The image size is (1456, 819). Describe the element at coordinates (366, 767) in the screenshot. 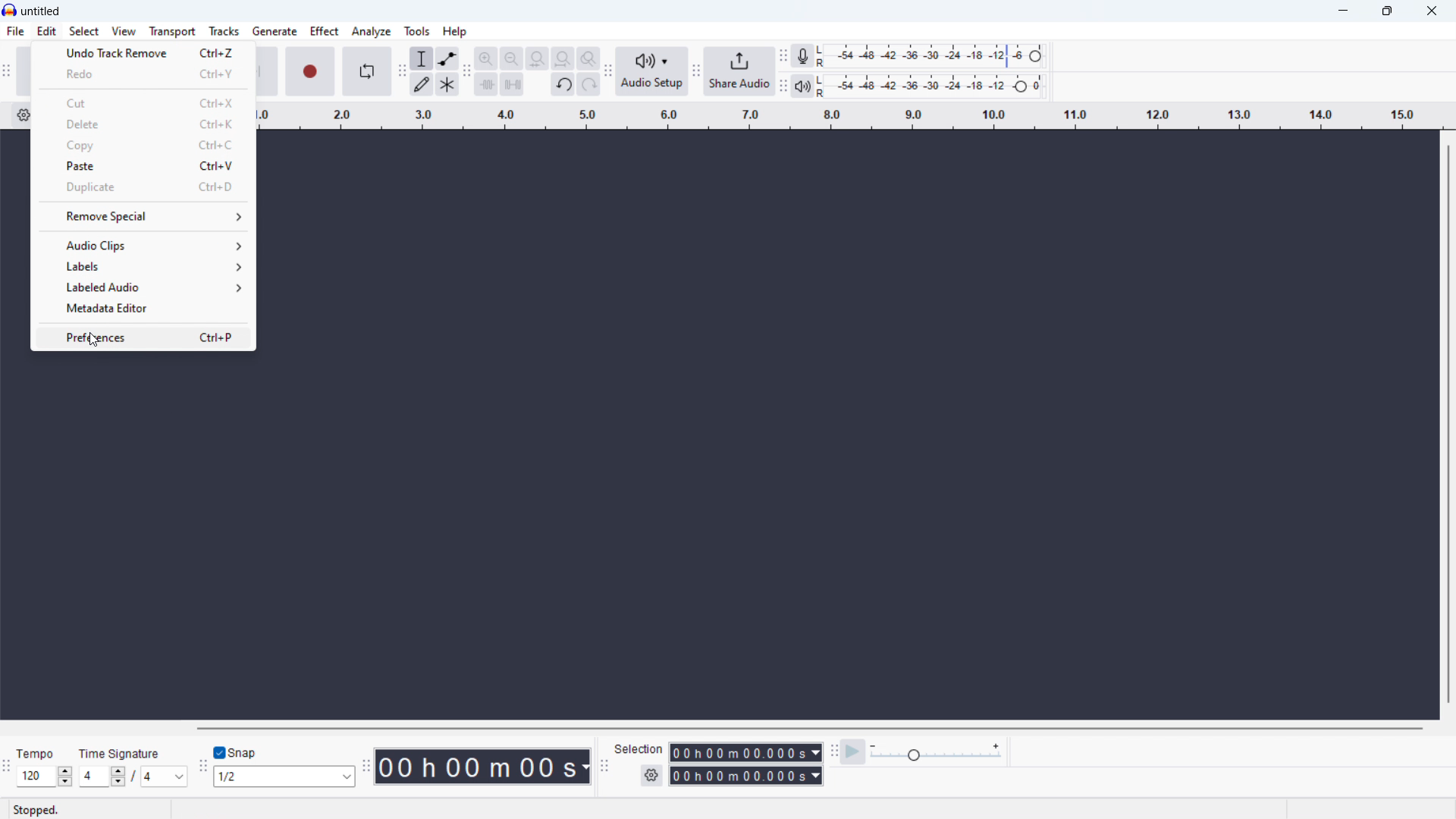

I see `time toolbar` at that location.